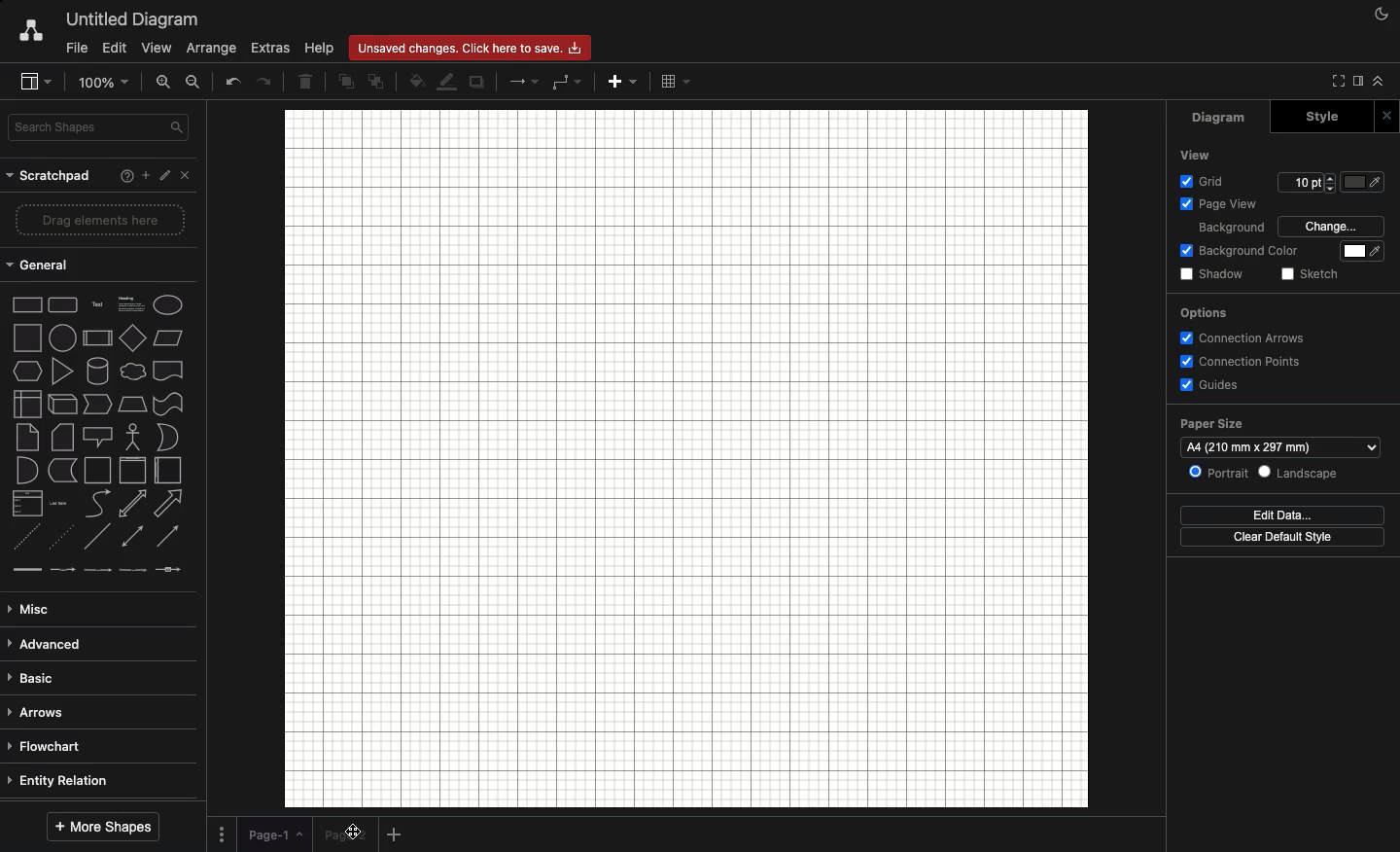 Image resolution: width=1400 pixels, height=852 pixels. I want to click on color picker, so click(1357, 251).